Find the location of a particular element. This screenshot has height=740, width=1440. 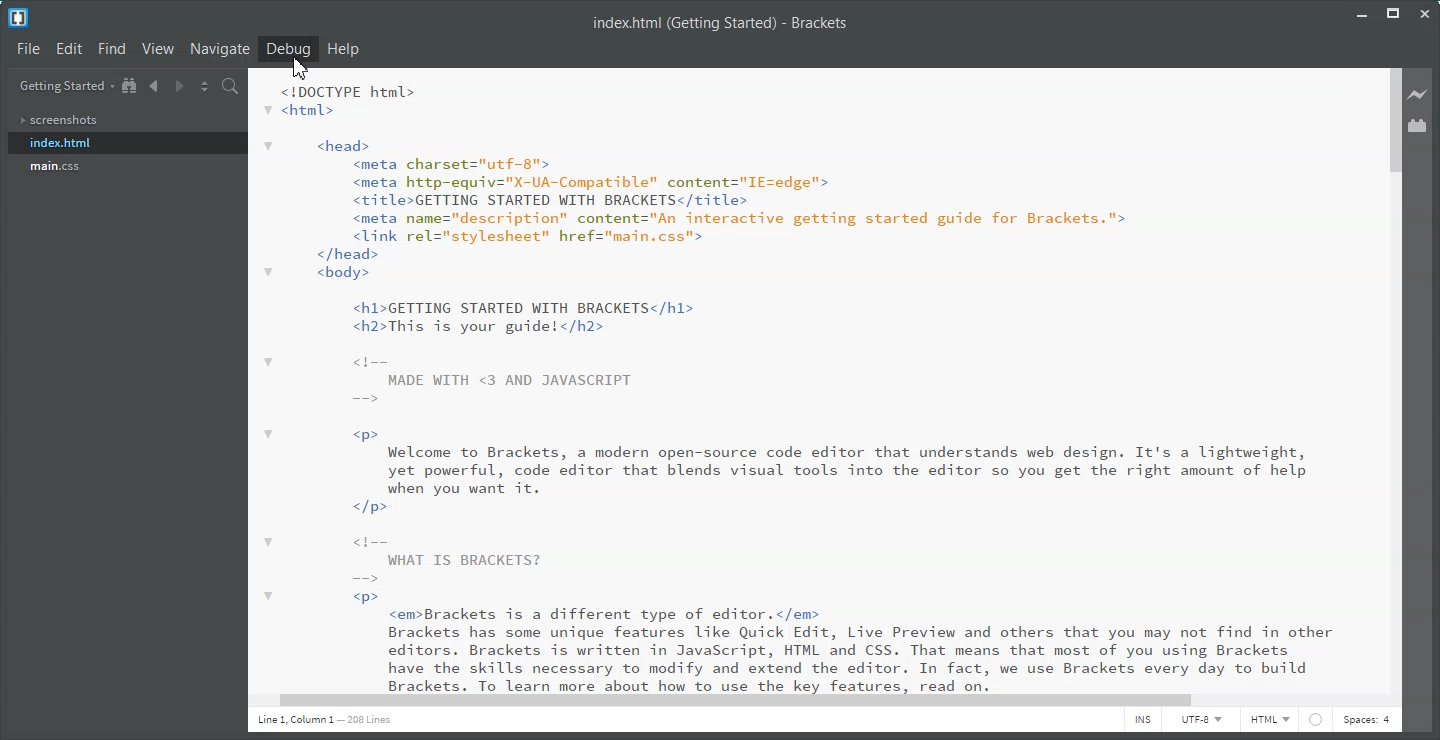

index.html is located at coordinates (124, 142).